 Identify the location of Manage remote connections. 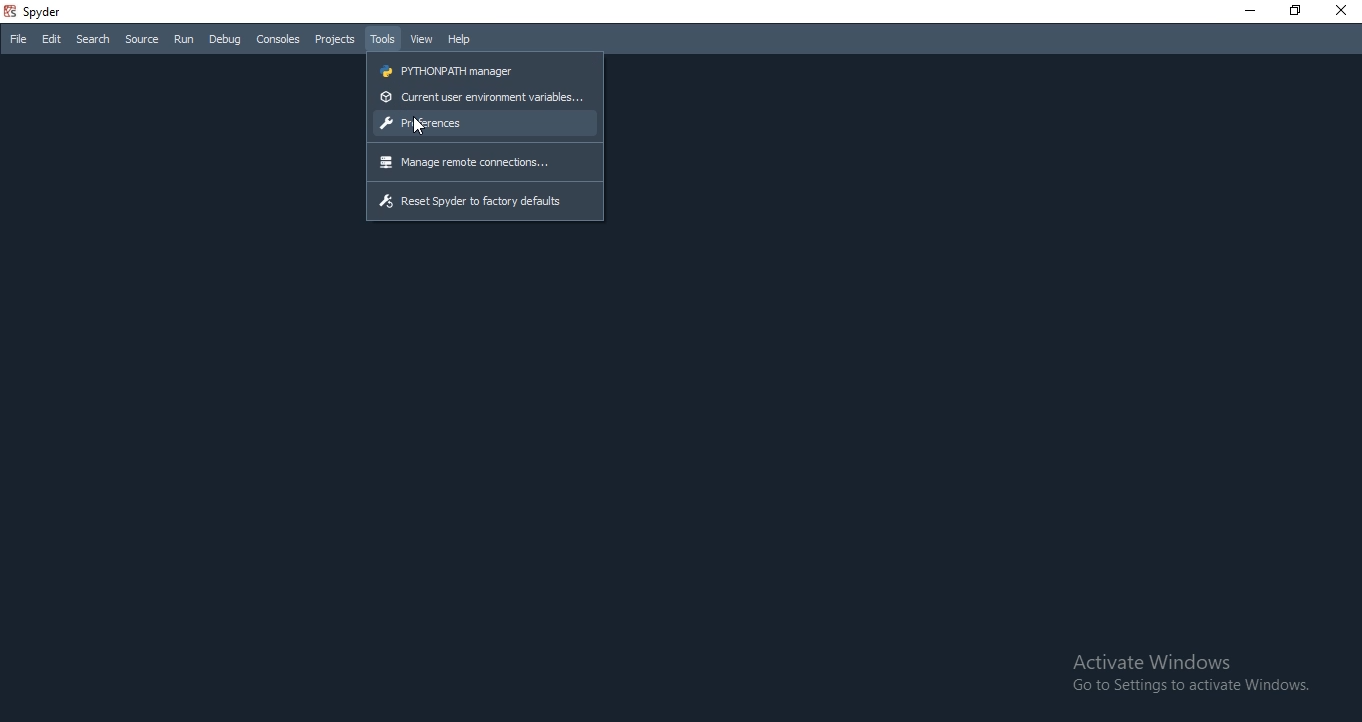
(467, 162).